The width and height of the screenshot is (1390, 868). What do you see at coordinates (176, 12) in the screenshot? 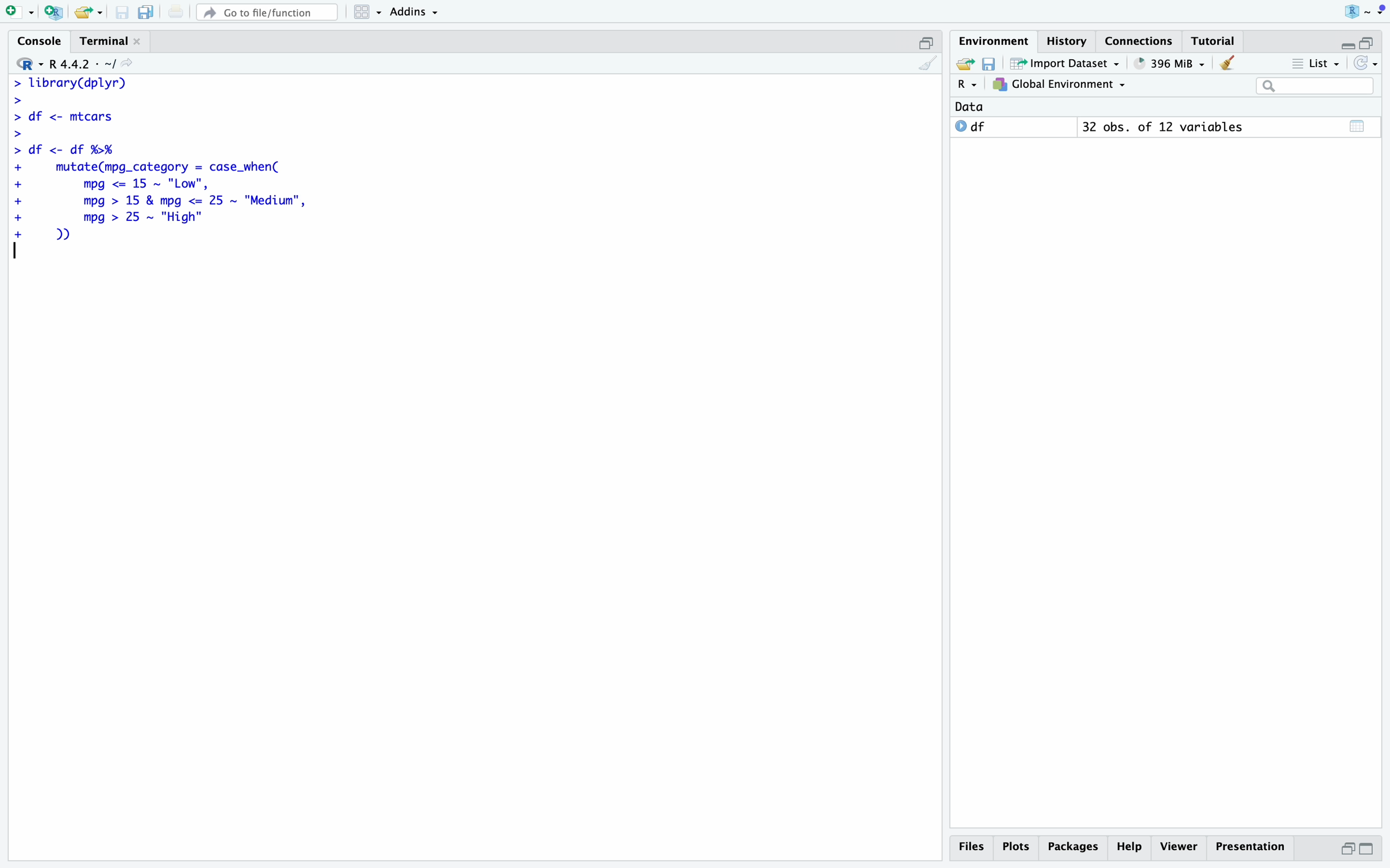
I see `print` at bounding box center [176, 12].